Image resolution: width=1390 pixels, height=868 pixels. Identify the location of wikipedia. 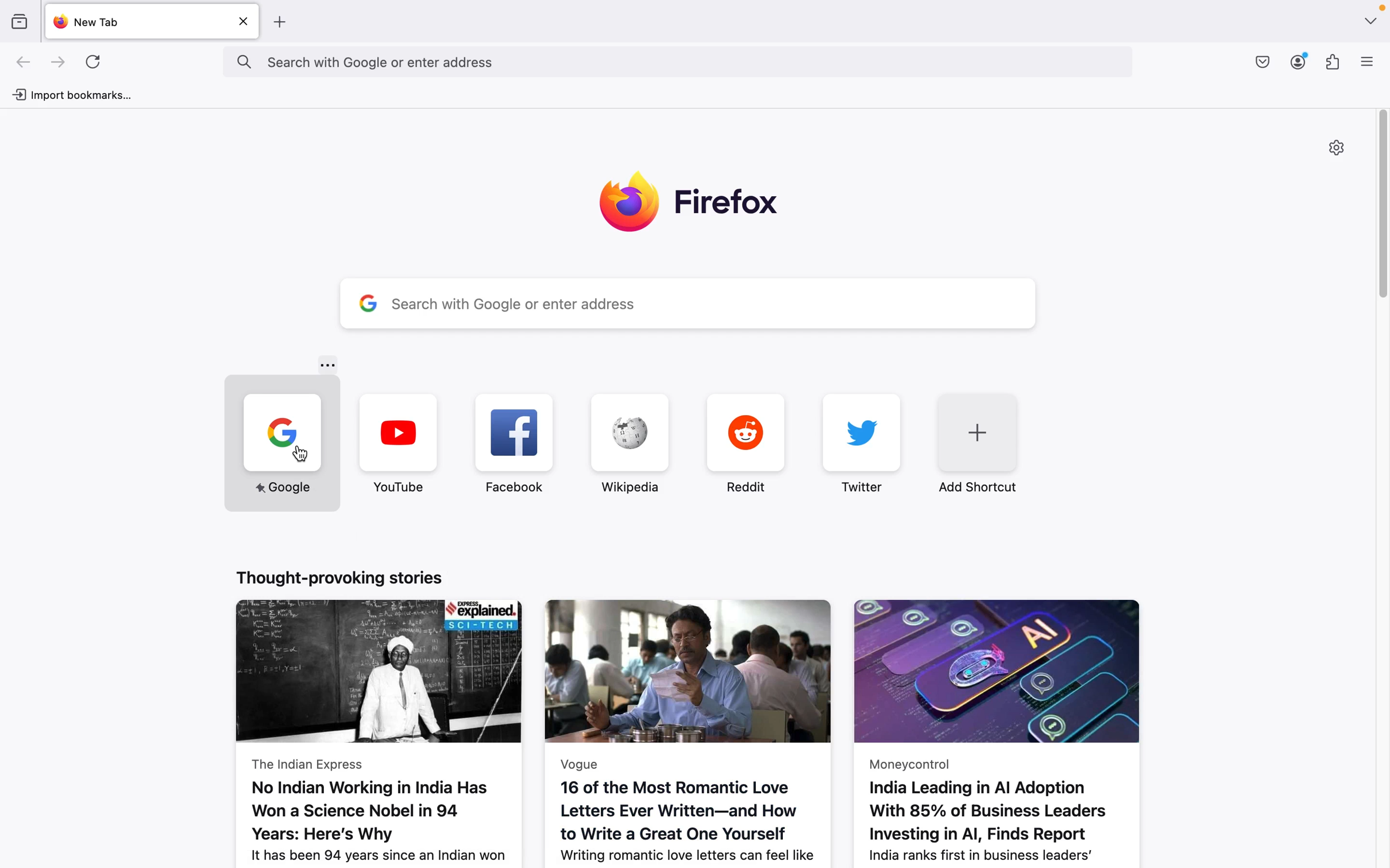
(621, 443).